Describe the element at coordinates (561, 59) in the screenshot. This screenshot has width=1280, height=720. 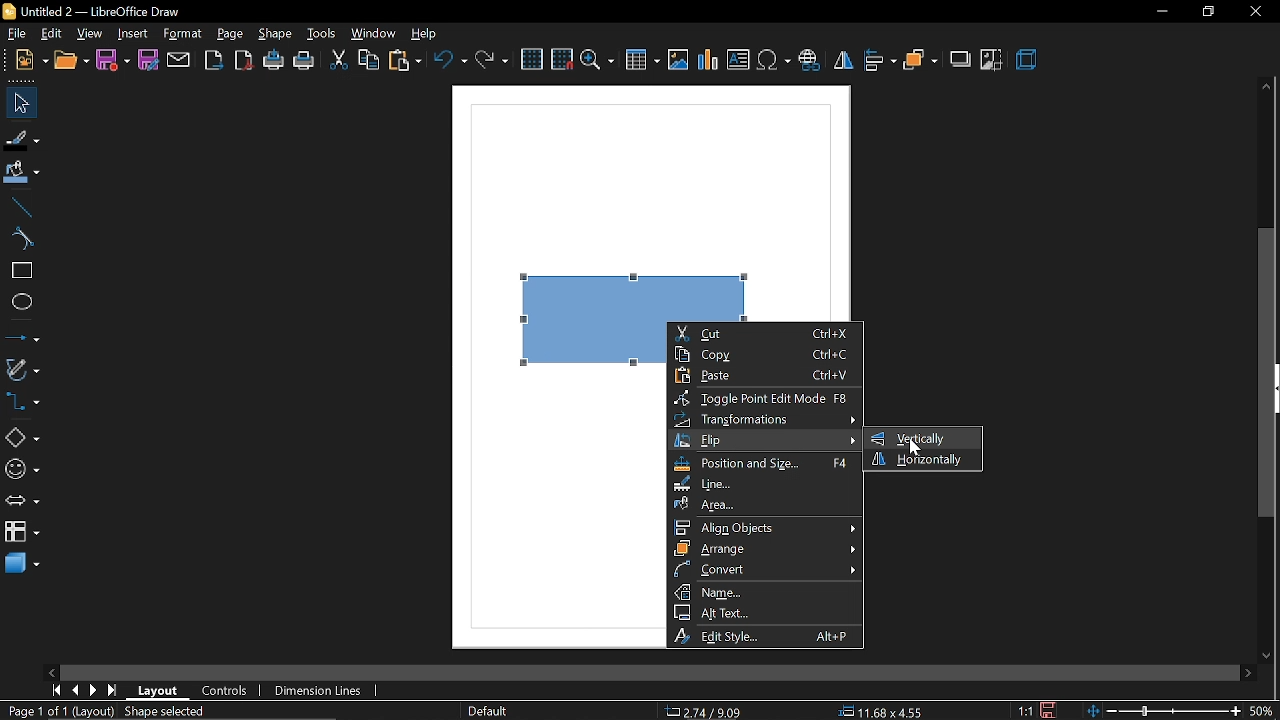
I see `snap to grid` at that location.